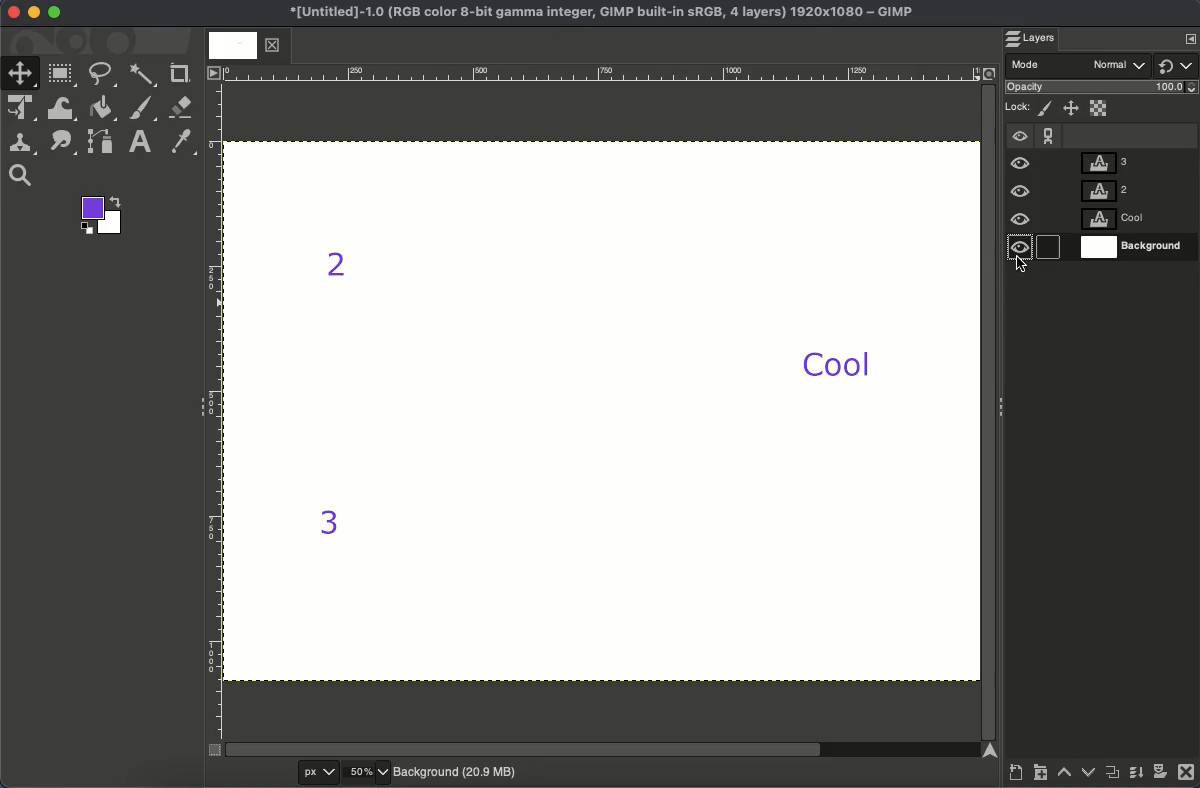 This screenshot has height=788, width=1200. I want to click on Layers, so click(1039, 39).